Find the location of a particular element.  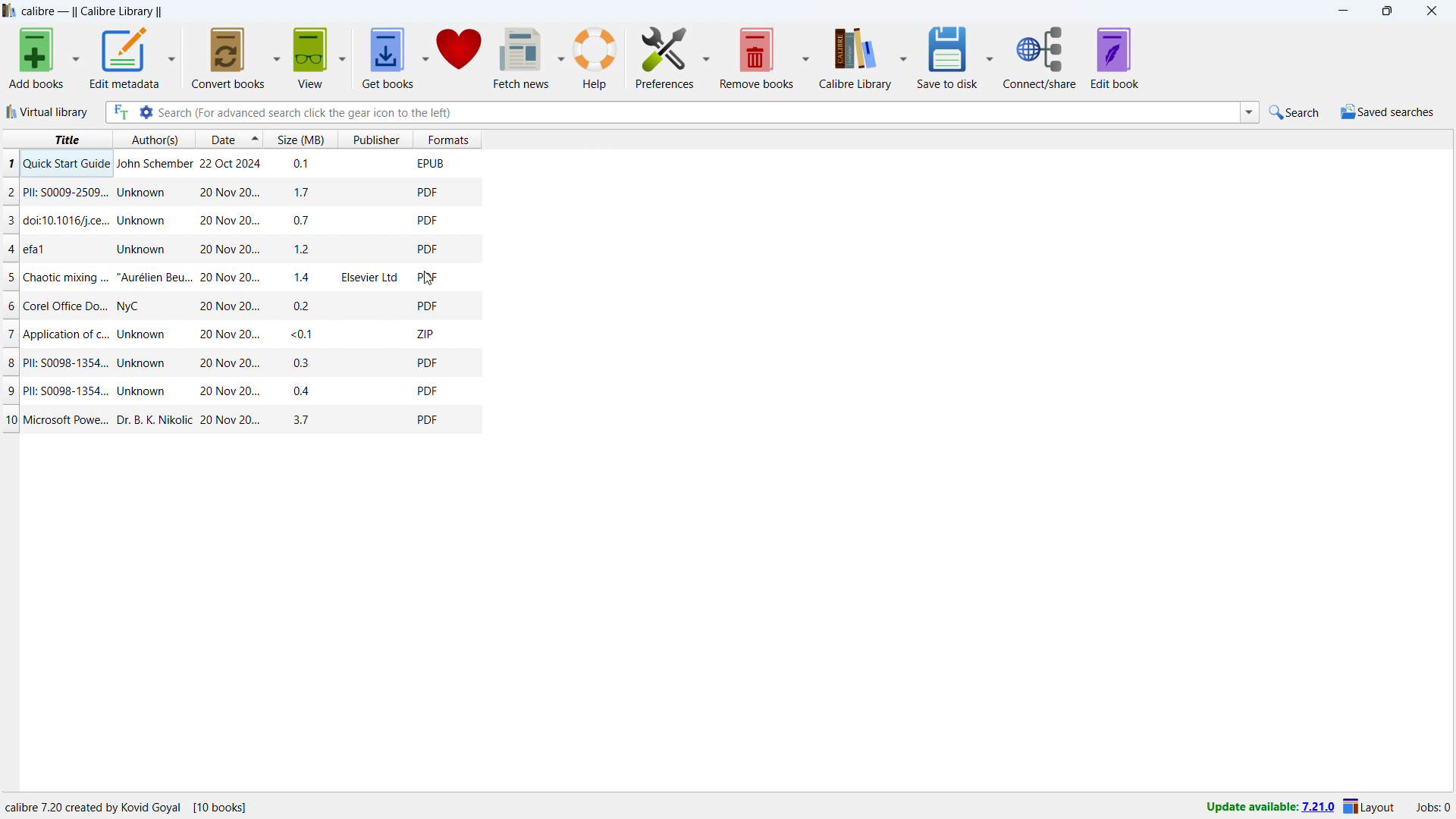

 is located at coordinates (229, 57).